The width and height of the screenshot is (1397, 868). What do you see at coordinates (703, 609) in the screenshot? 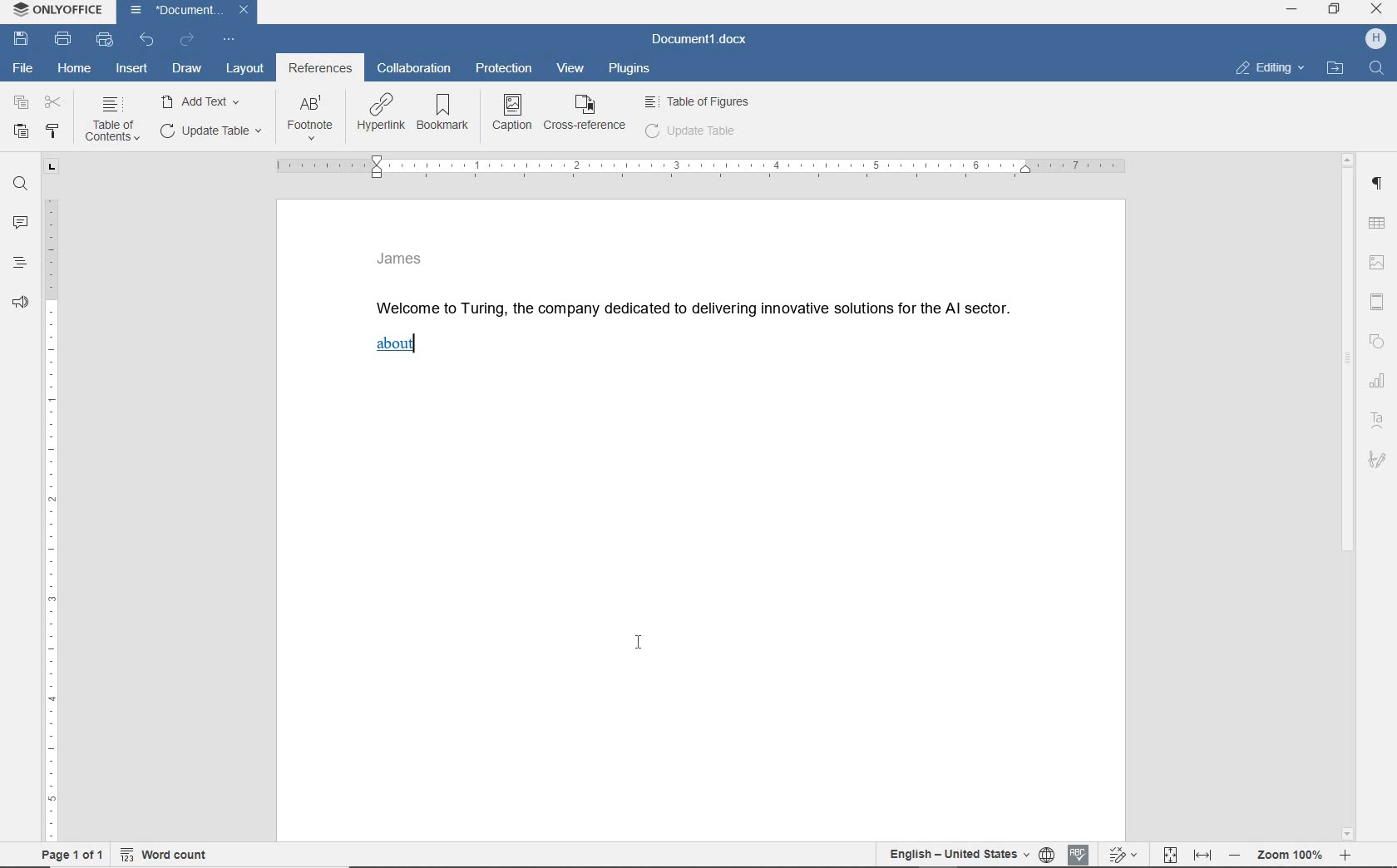
I see `Work area` at bounding box center [703, 609].